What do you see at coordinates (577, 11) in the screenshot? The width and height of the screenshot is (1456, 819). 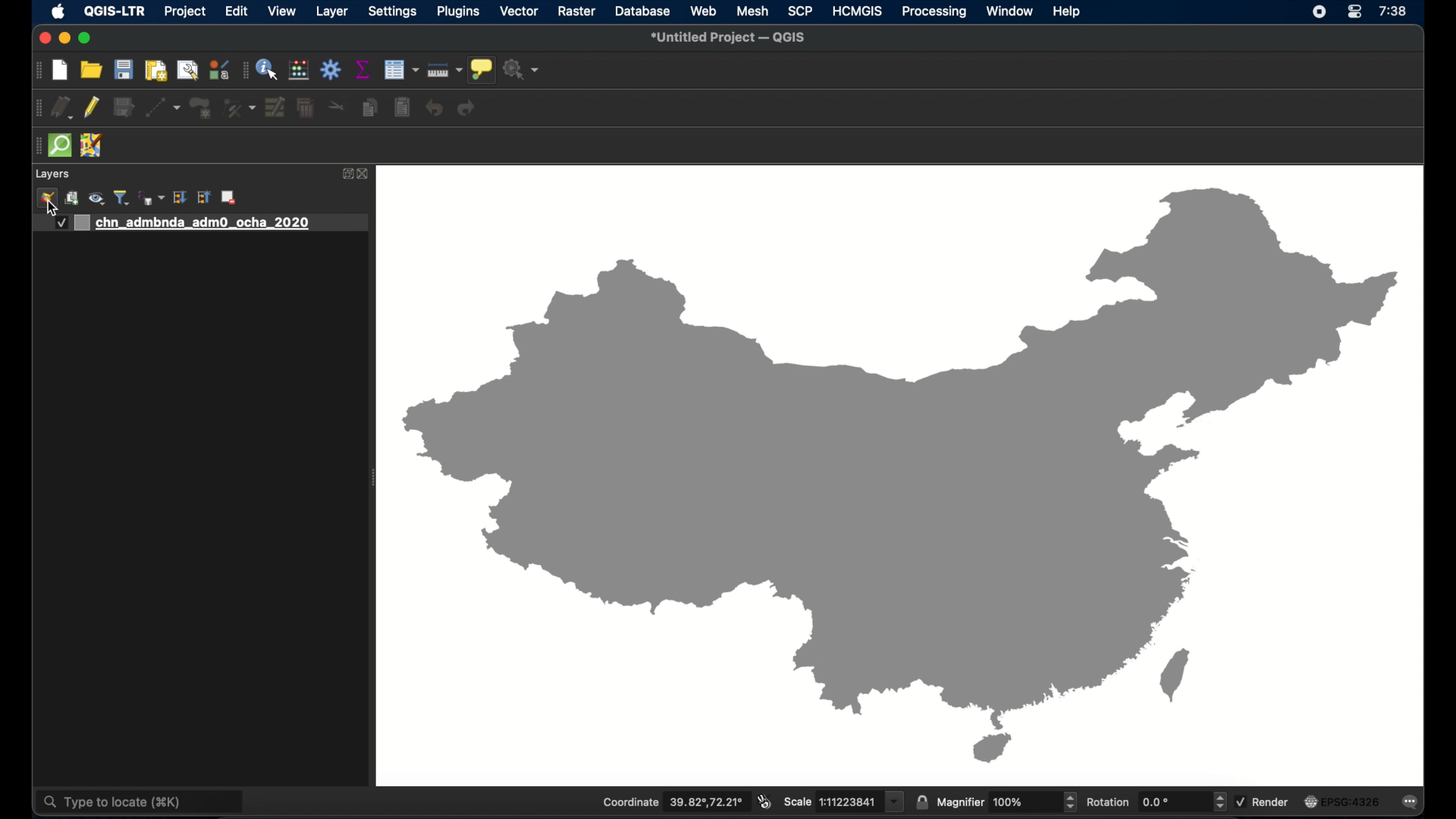 I see `raster` at bounding box center [577, 11].